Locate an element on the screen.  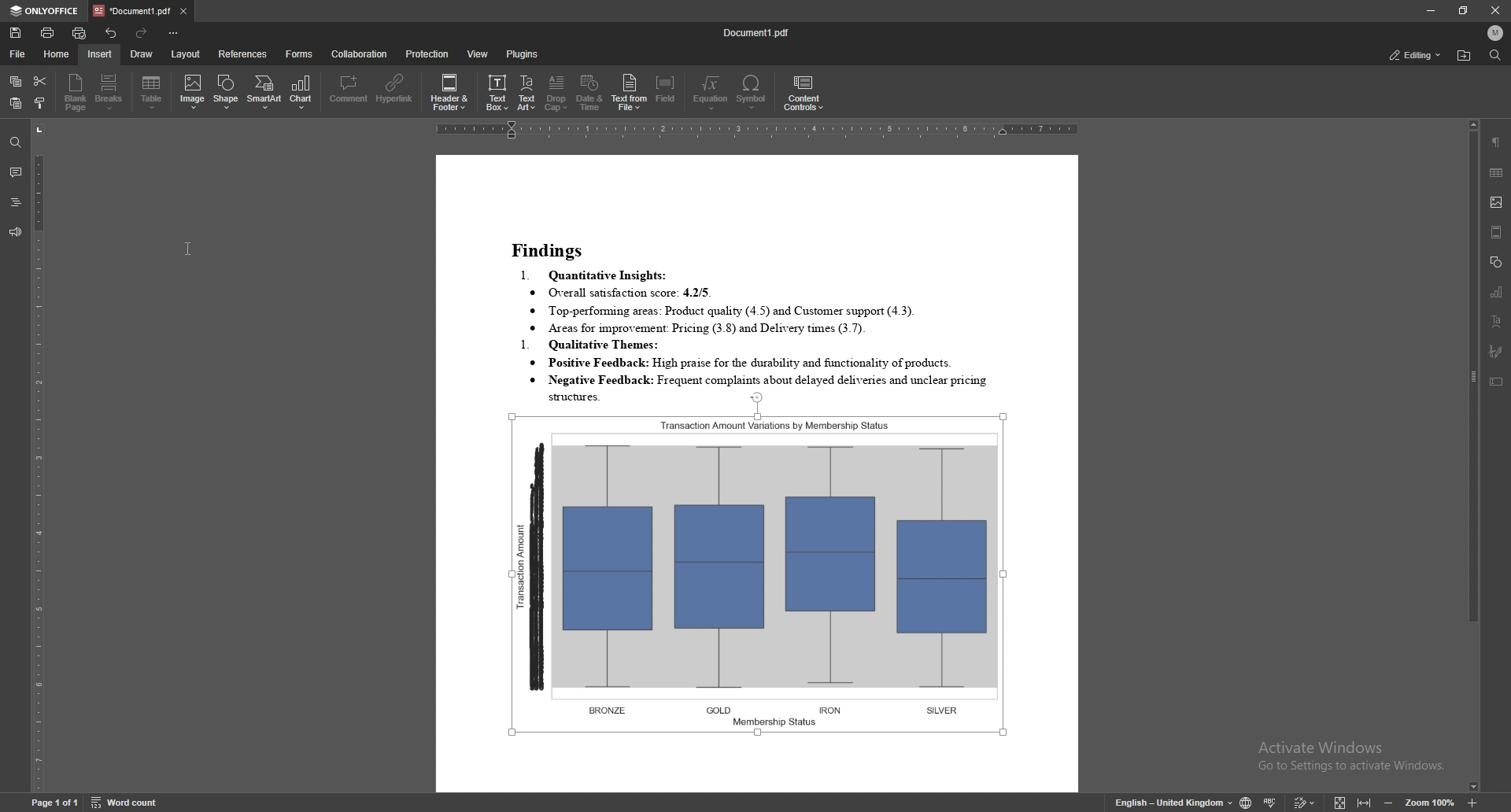
zoom in is located at coordinates (1472, 803).